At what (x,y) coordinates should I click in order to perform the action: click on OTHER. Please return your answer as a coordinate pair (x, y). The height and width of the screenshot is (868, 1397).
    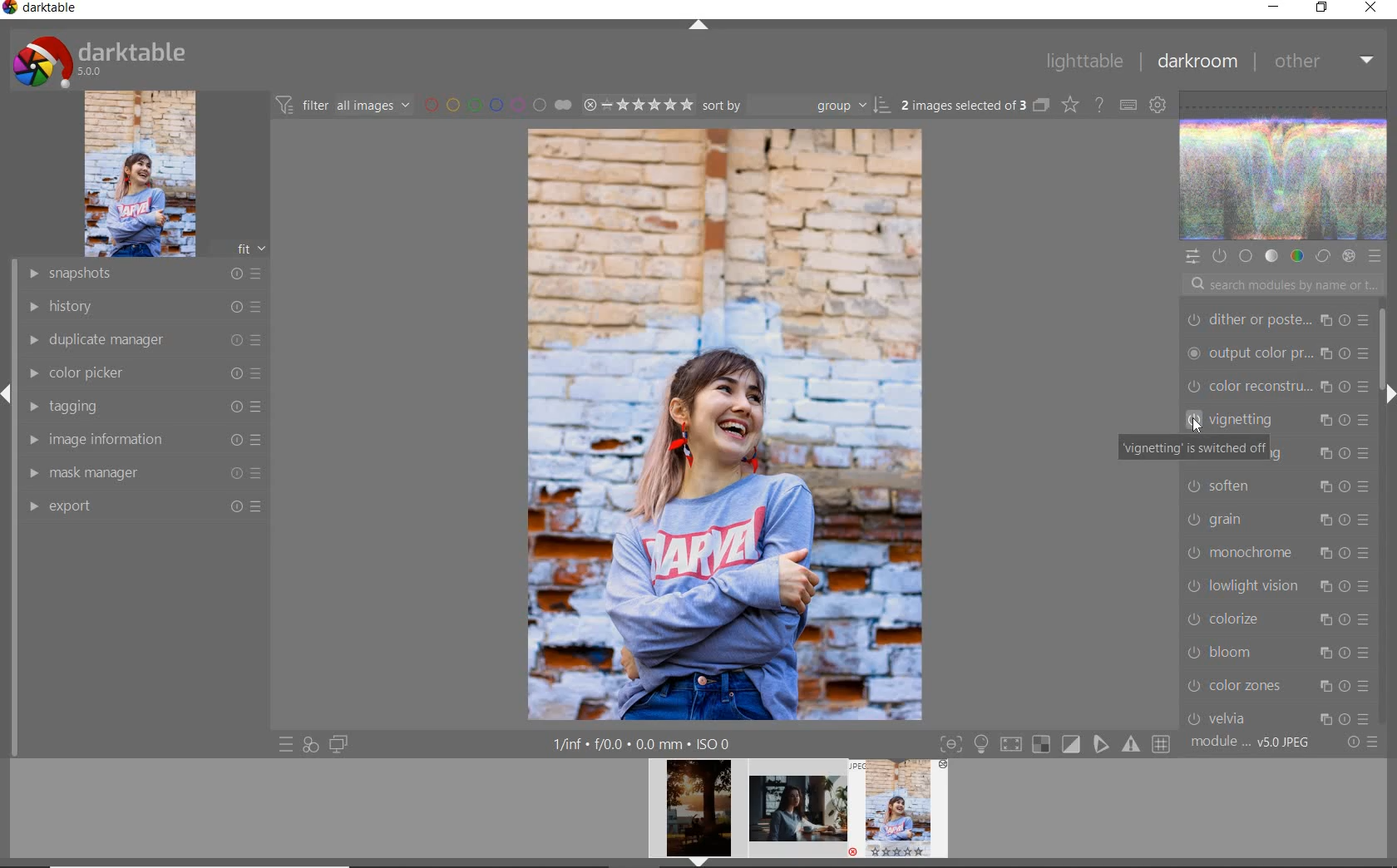
    Looking at the image, I should click on (1324, 61).